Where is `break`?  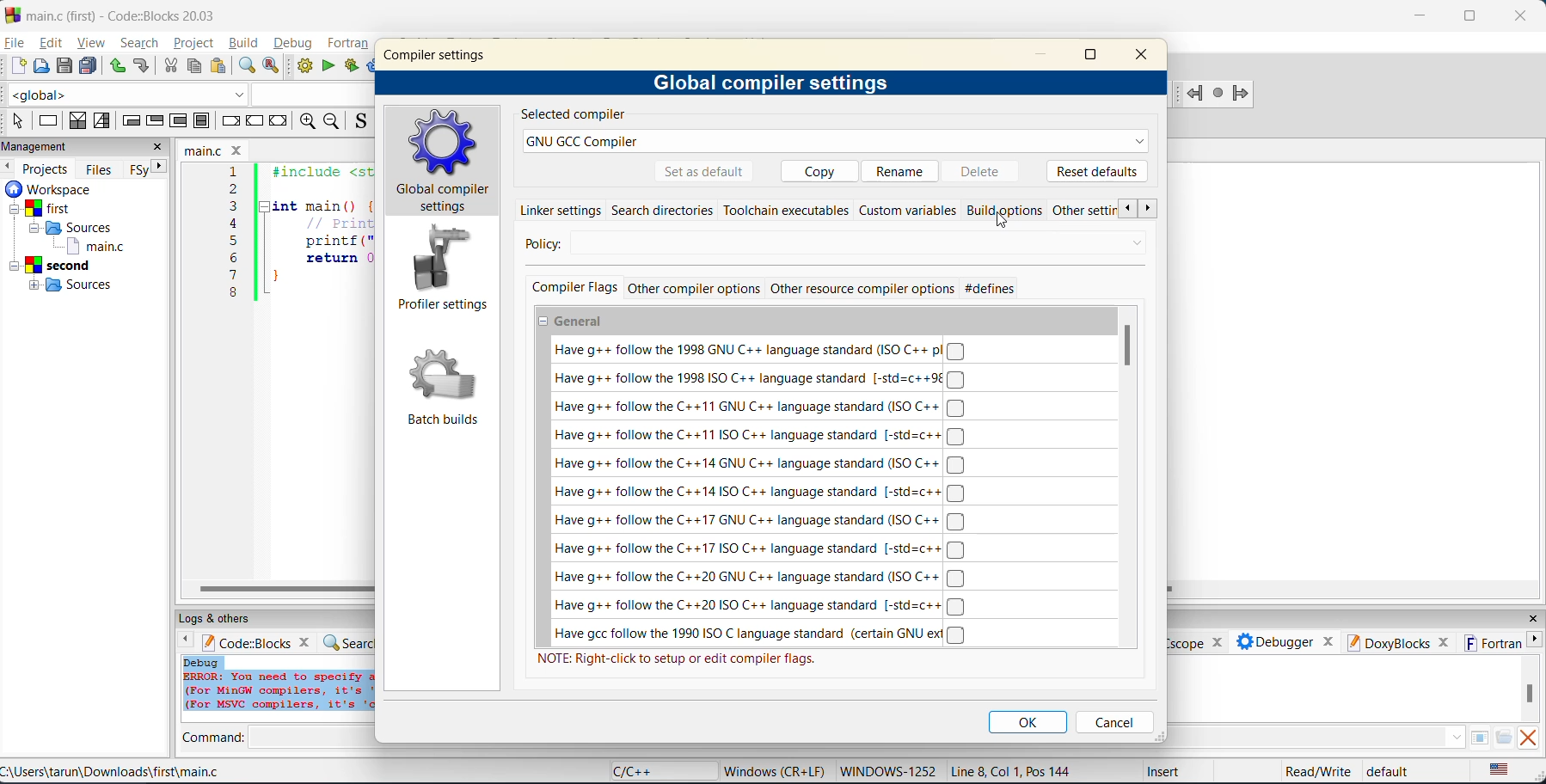
break is located at coordinates (229, 119).